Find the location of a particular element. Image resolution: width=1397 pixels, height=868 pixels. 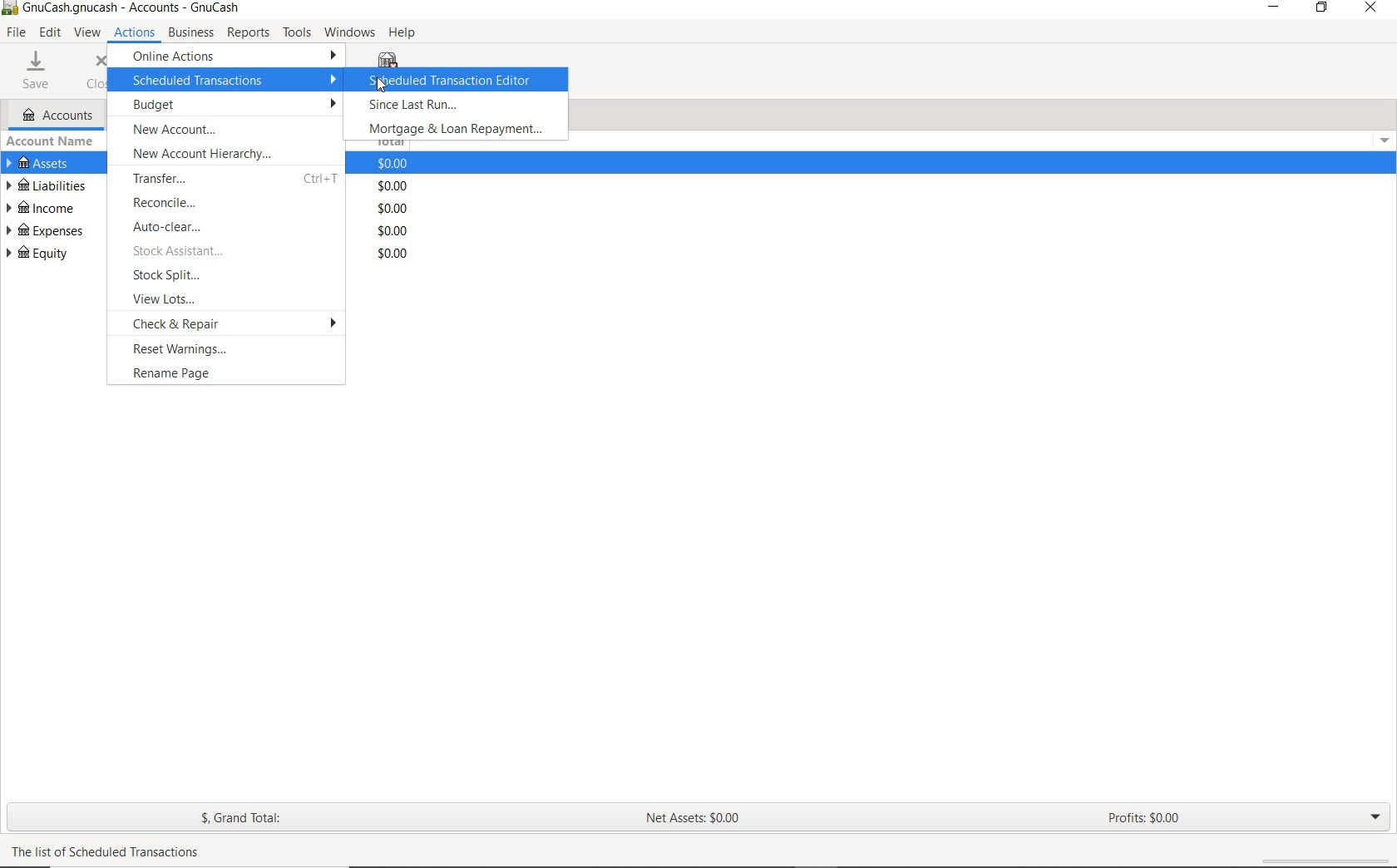

SCHEDULED TRANSACTION EDITOR is located at coordinates (455, 84).